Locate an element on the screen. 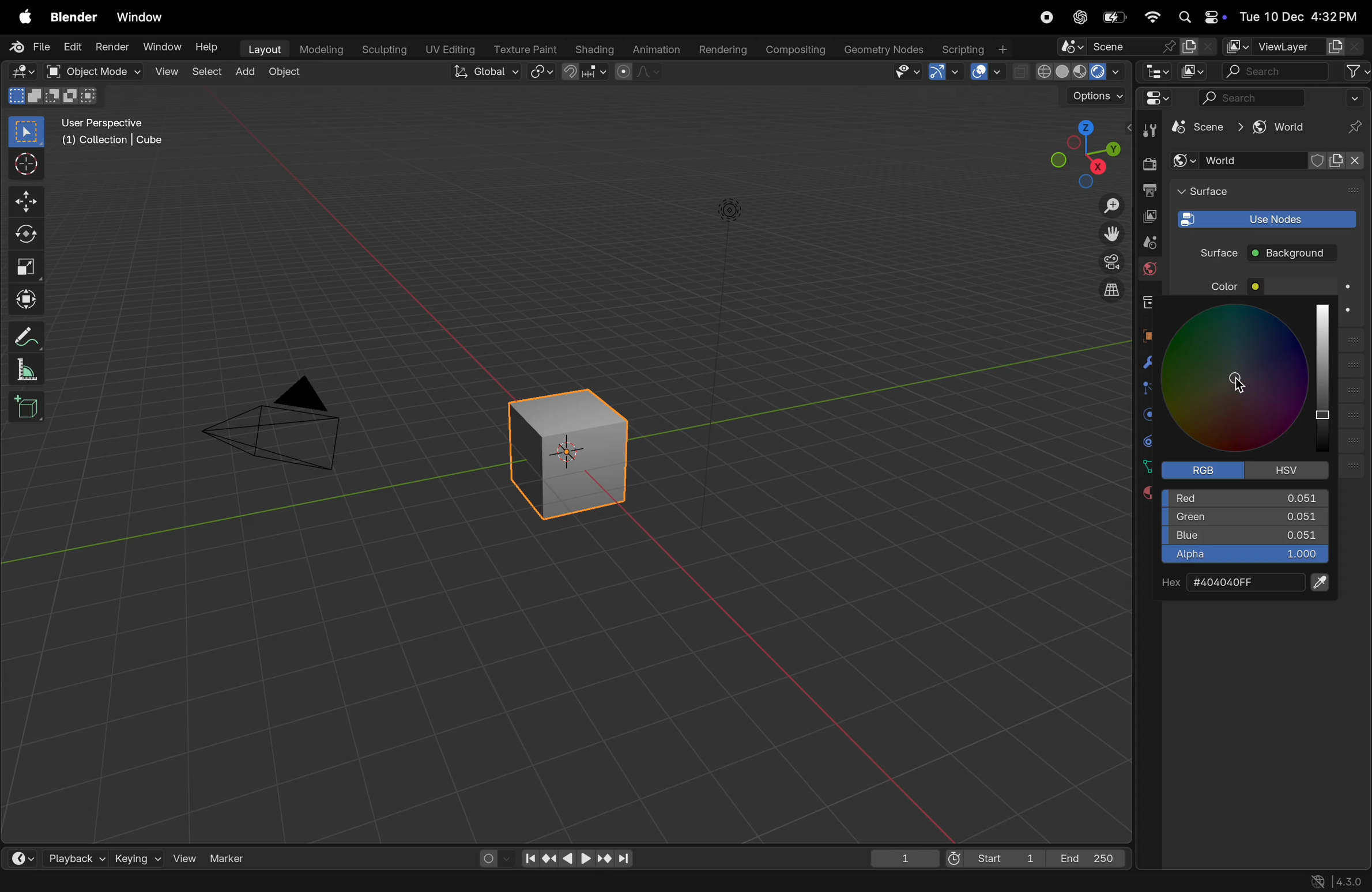 The image size is (1372, 892). editor type is located at coordinates (25, 72).